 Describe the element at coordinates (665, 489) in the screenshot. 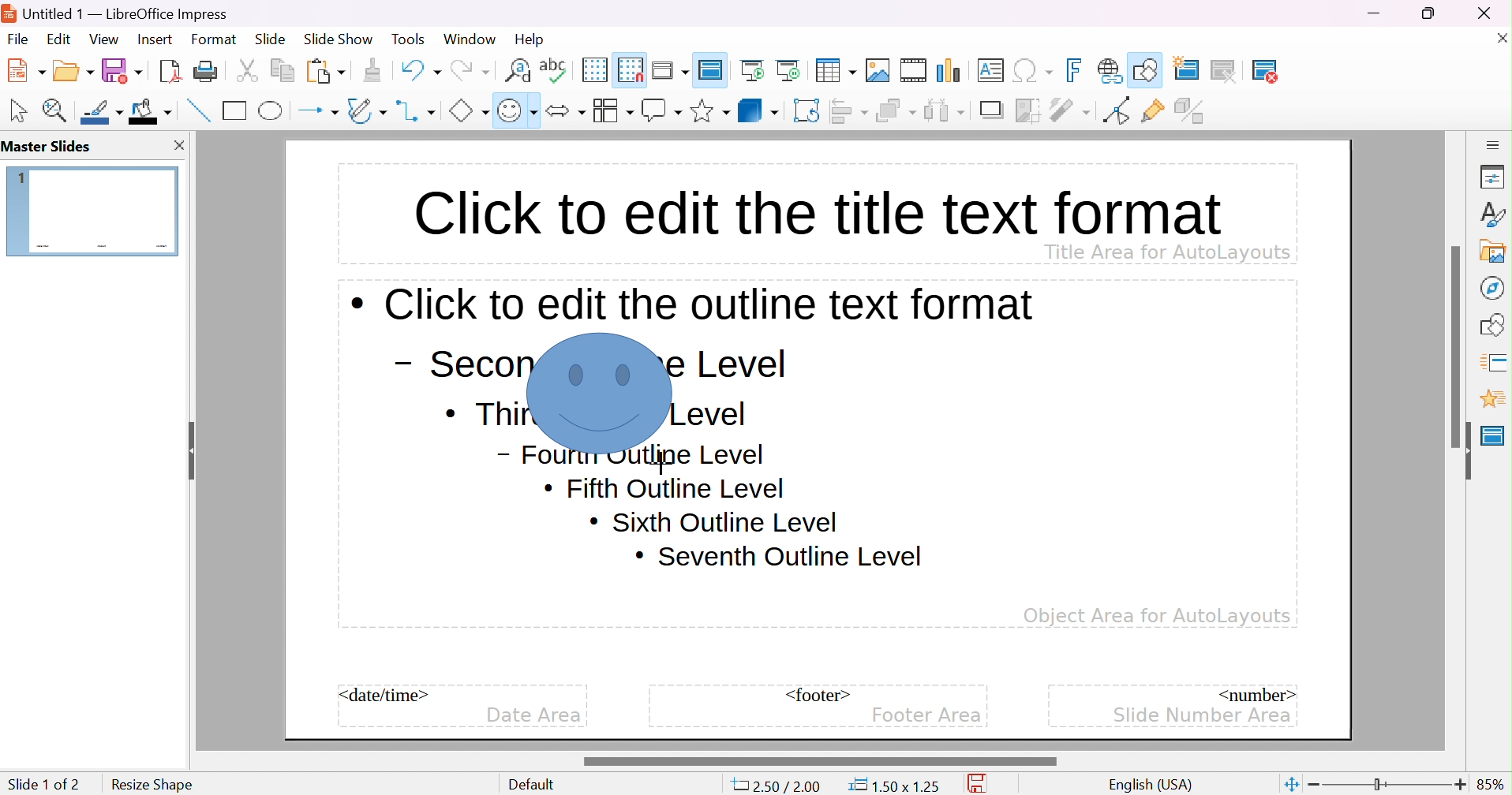

I see `sixth outline level` at that location.